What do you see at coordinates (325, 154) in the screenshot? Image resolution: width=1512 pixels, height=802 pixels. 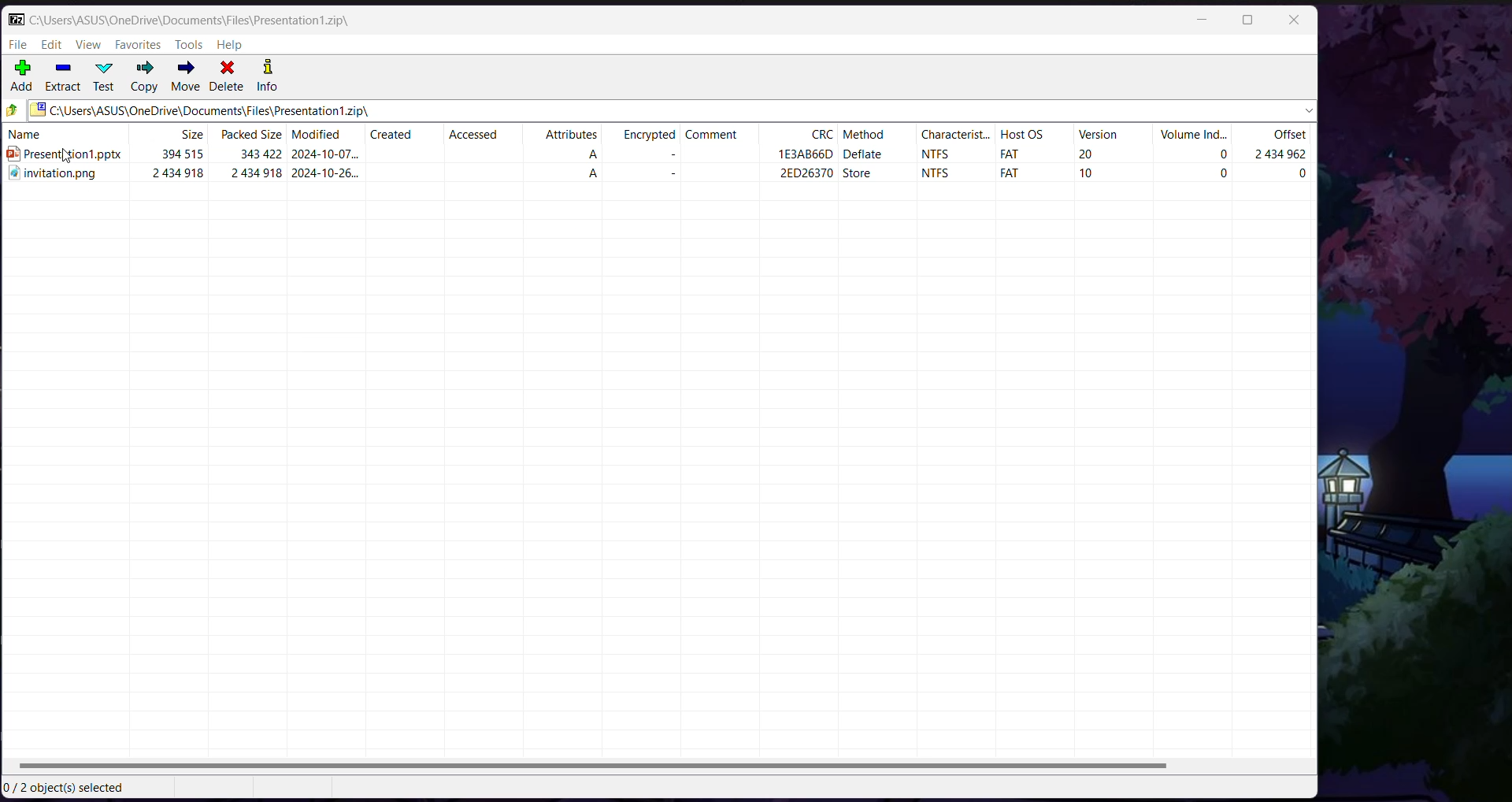 I see `2024-10-07` at bounding box center [325, 154].